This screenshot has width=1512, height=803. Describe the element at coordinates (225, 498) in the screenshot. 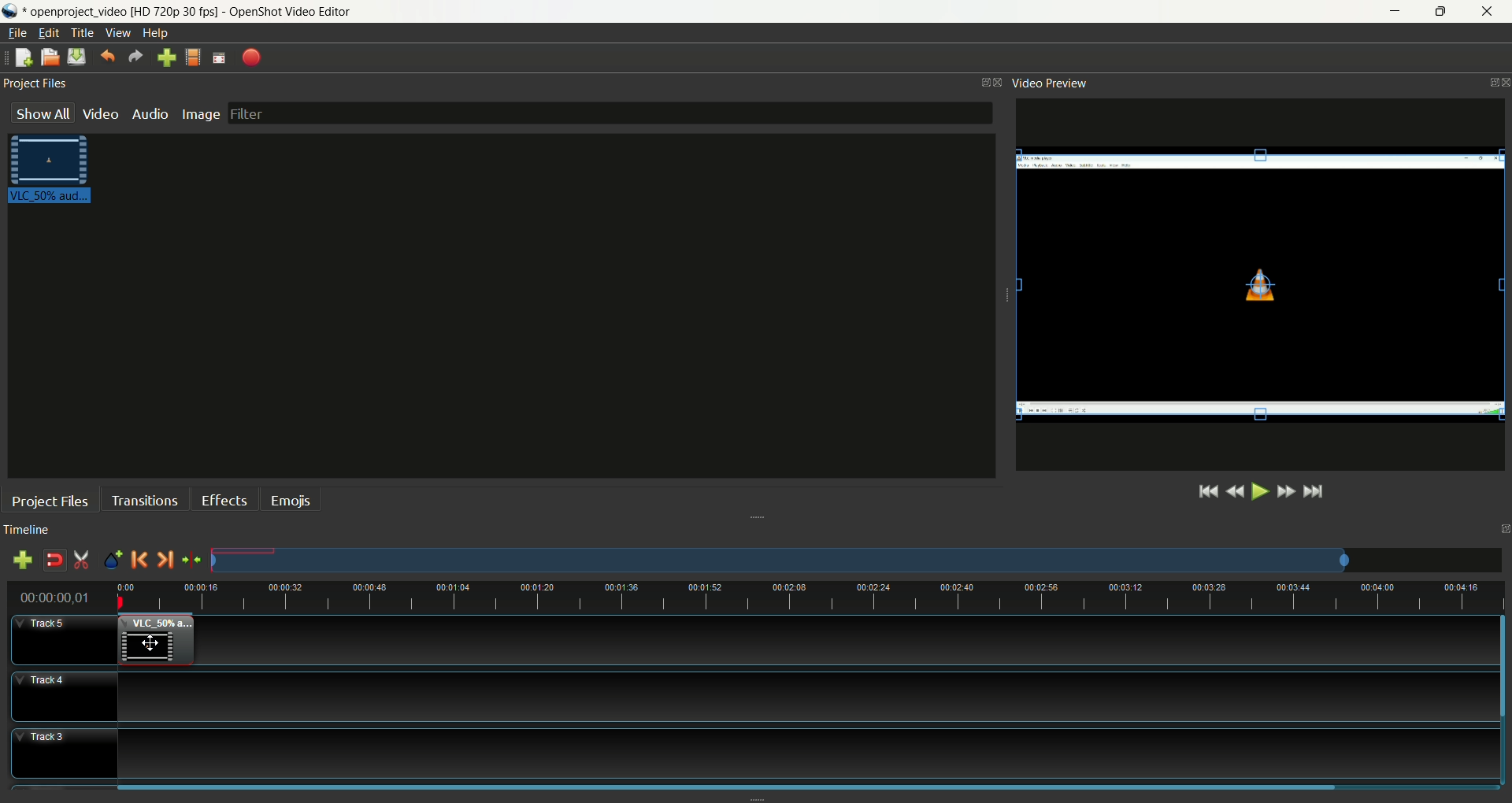

I see `effects` at that location.